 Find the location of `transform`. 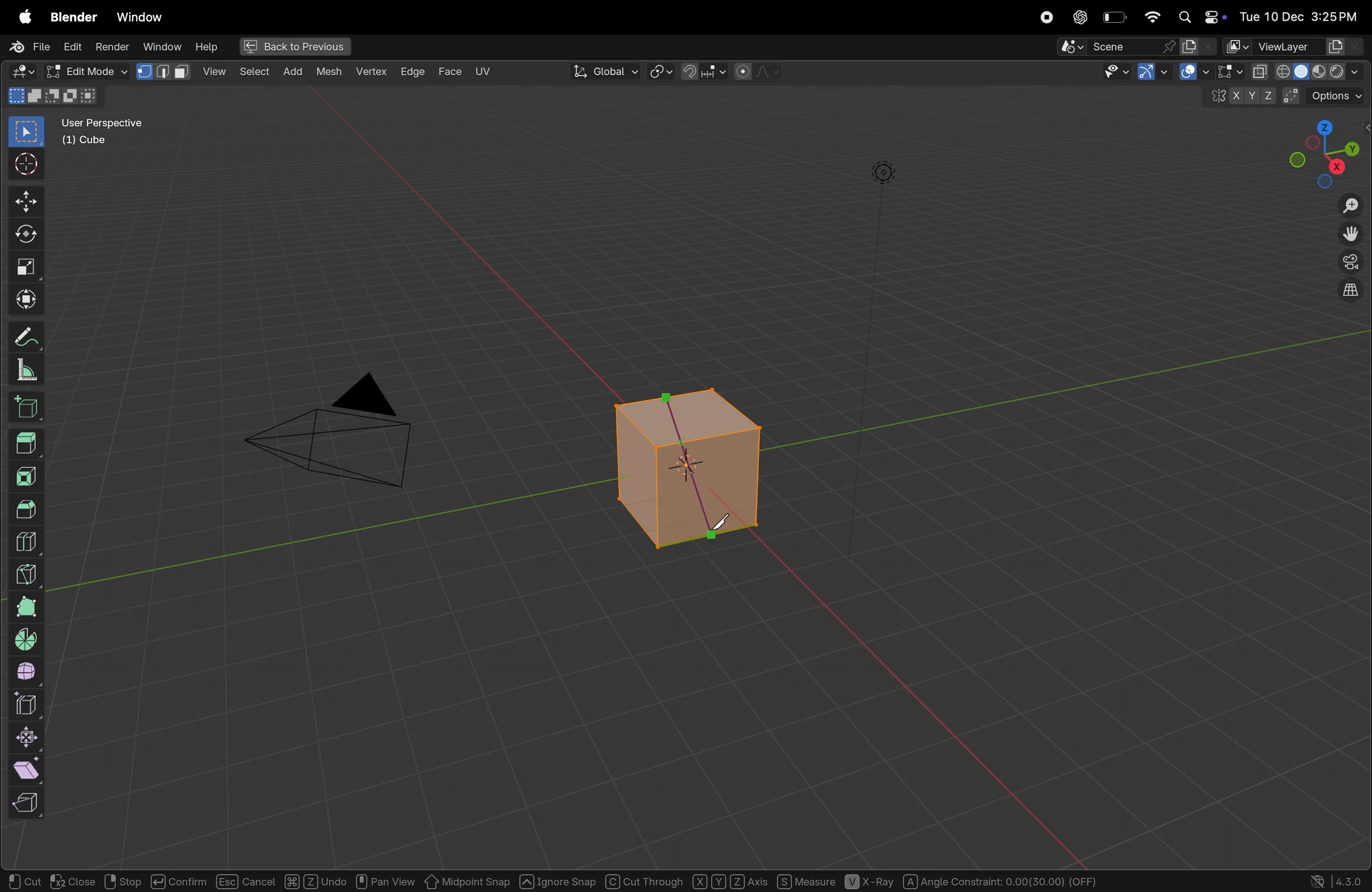

transform is located at coordinates (22, 300).